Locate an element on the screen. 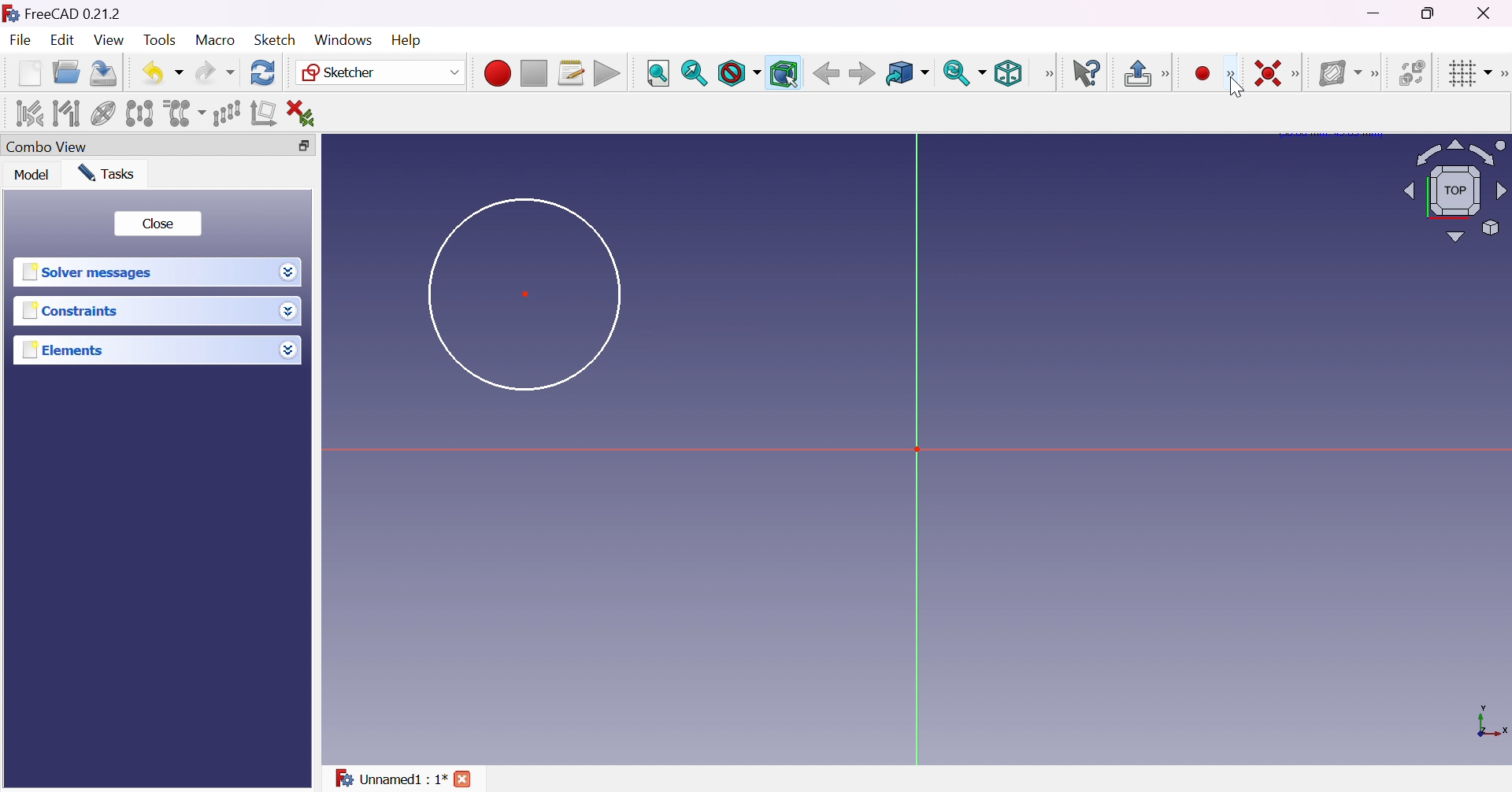 This screenshot has width=1512, height=792. [Sketcher B-spline tools]] is located at coordinates (1379, 74).